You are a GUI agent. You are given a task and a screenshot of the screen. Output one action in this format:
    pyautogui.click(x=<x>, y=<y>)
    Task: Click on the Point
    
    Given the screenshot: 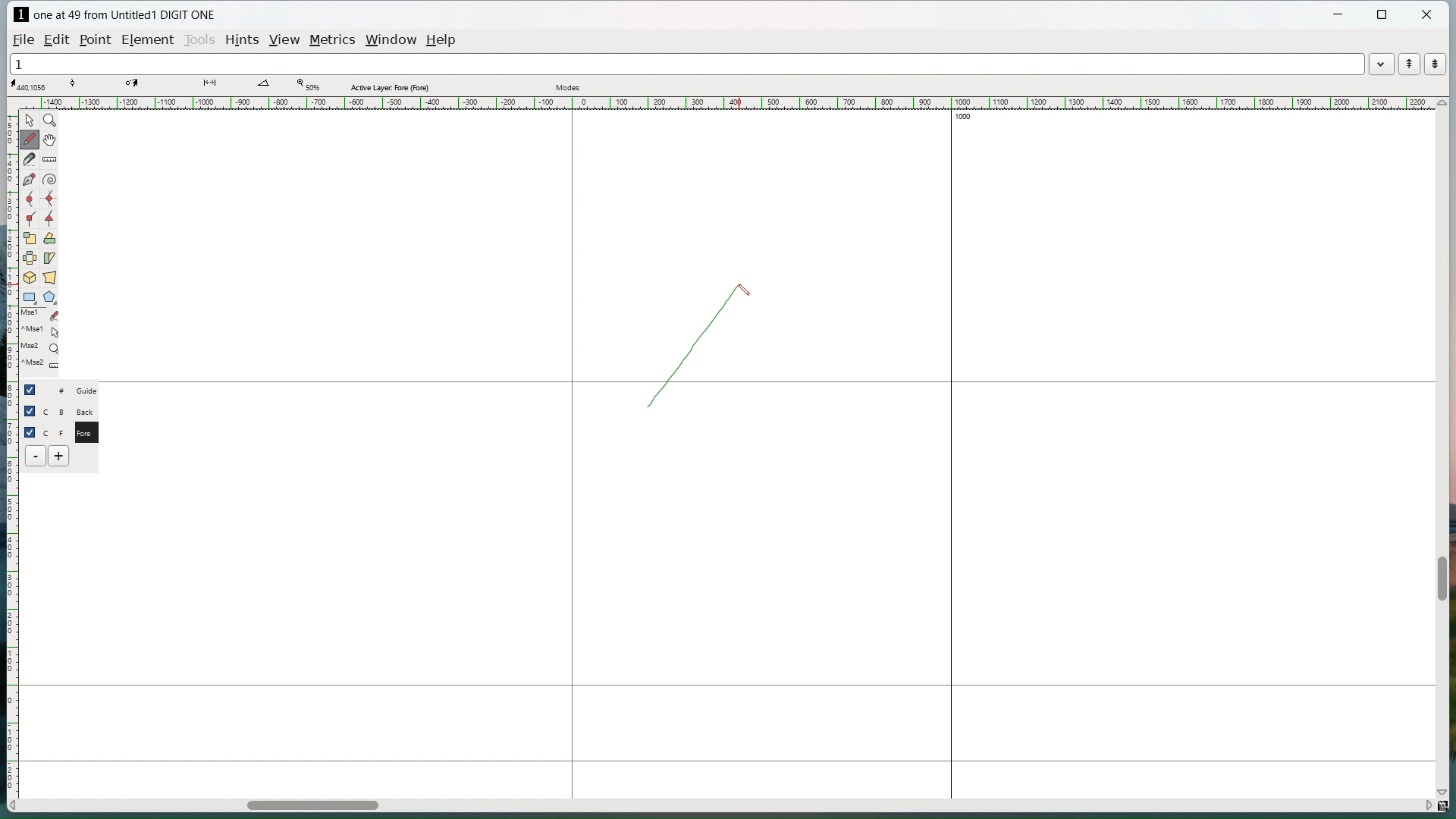 What is the action you would take?
    pyautogui.click(x=98, y=39)
    